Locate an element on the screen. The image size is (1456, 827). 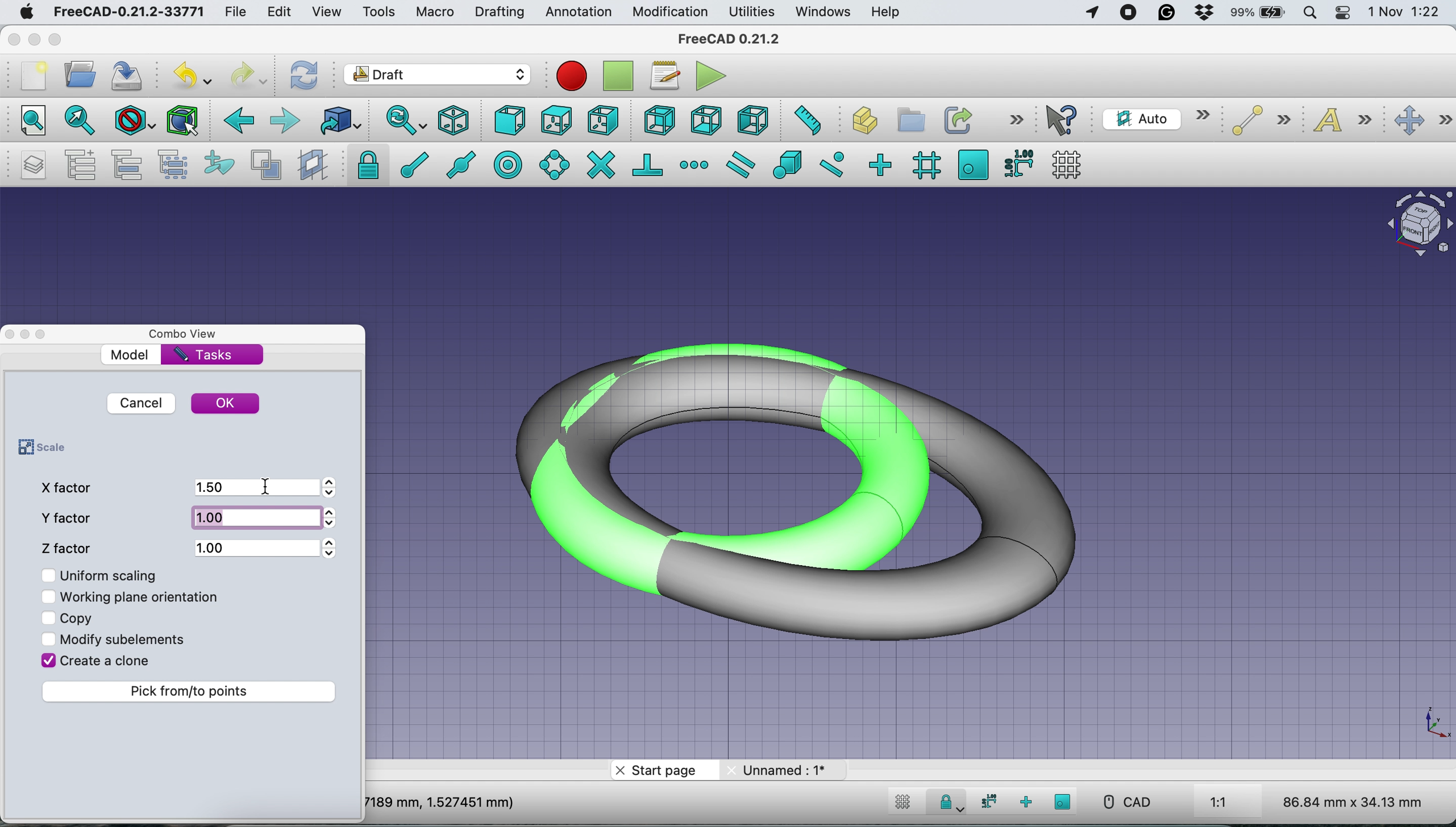
isometric is located at coordinates (455, 120).